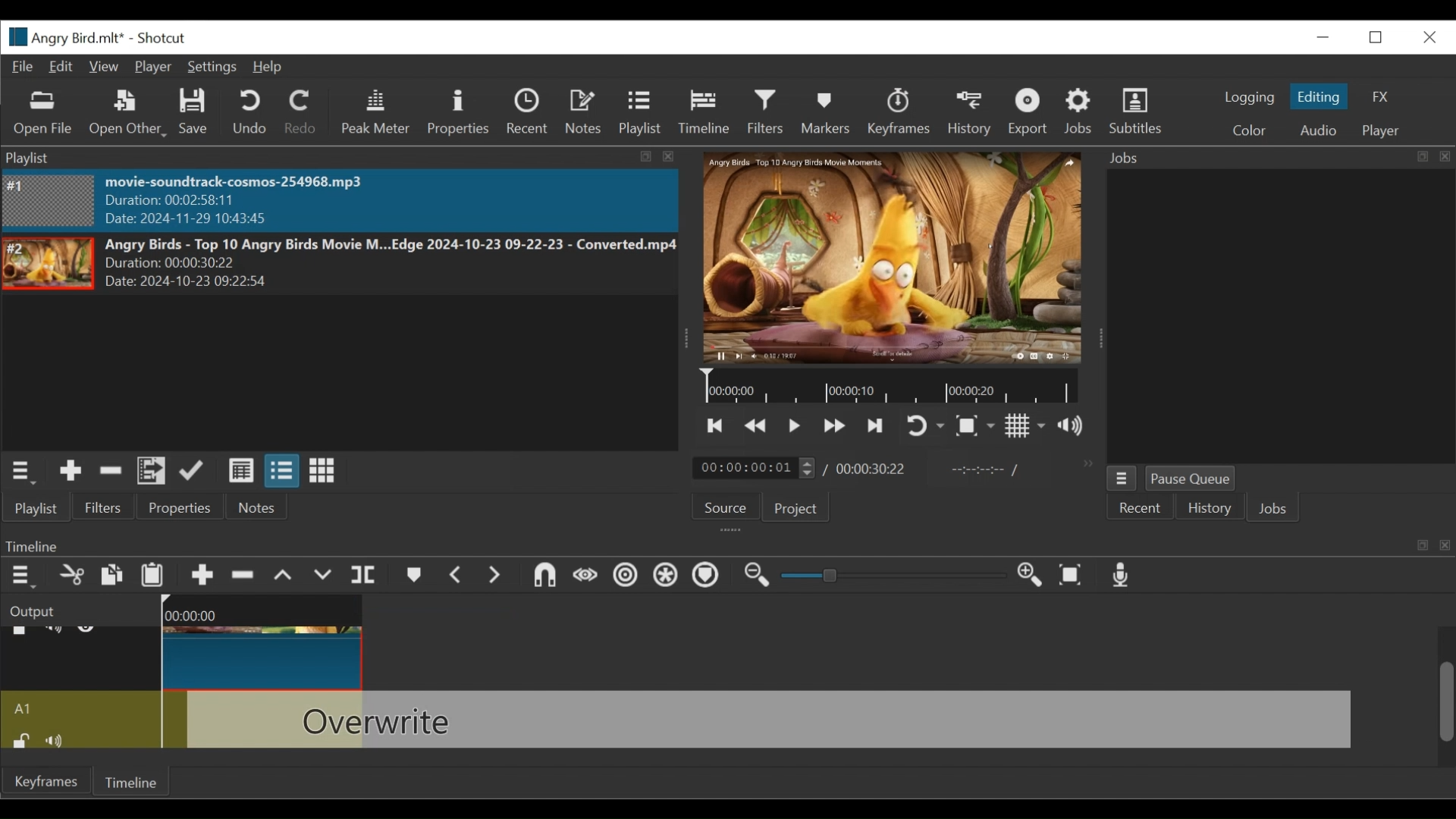 This screenshot has width=1456, height=819. Describe the element at coordinates (1382, 132) in the screenshot. I see `Player` at that location.